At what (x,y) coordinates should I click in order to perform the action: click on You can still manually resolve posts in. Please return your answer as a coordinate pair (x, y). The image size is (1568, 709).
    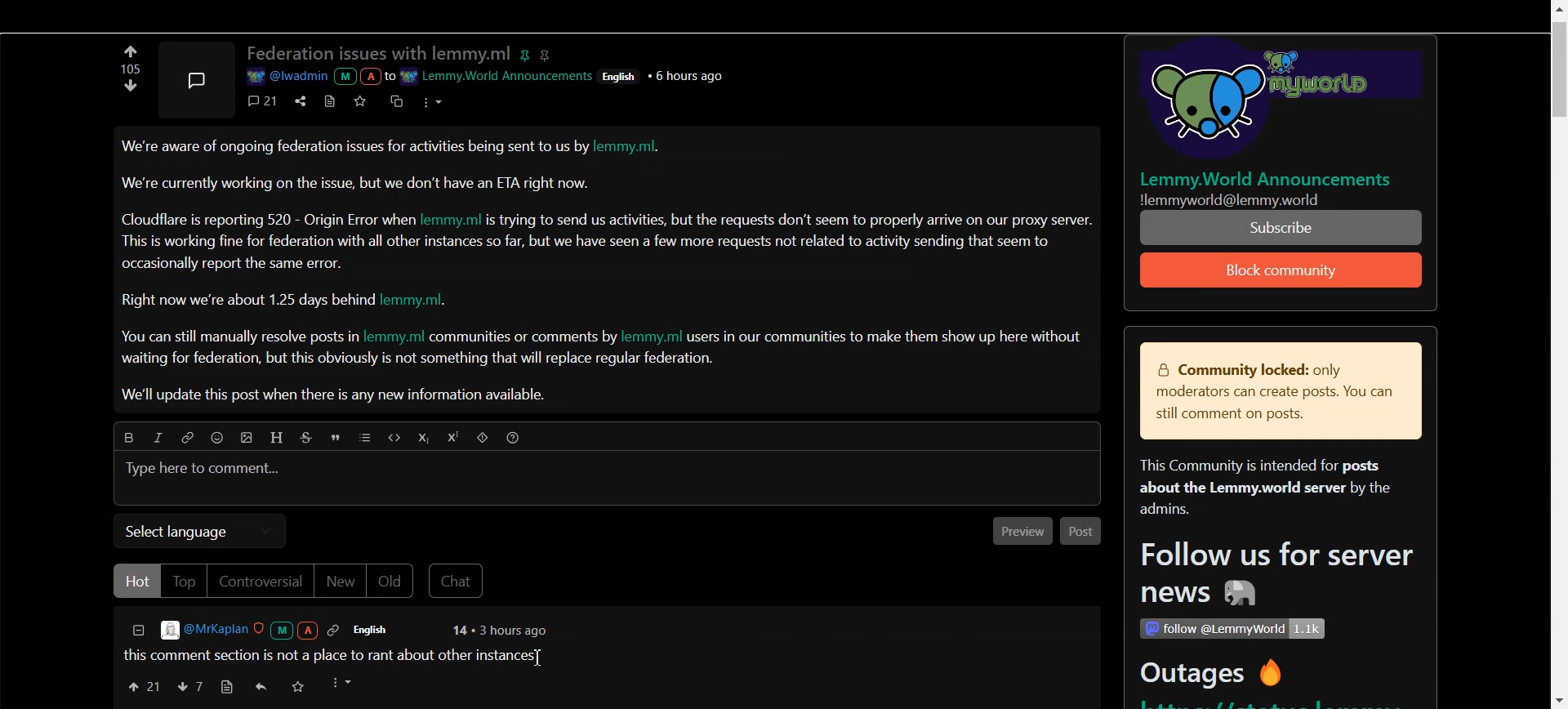
    Looking at the image, I should click on (235, 339).